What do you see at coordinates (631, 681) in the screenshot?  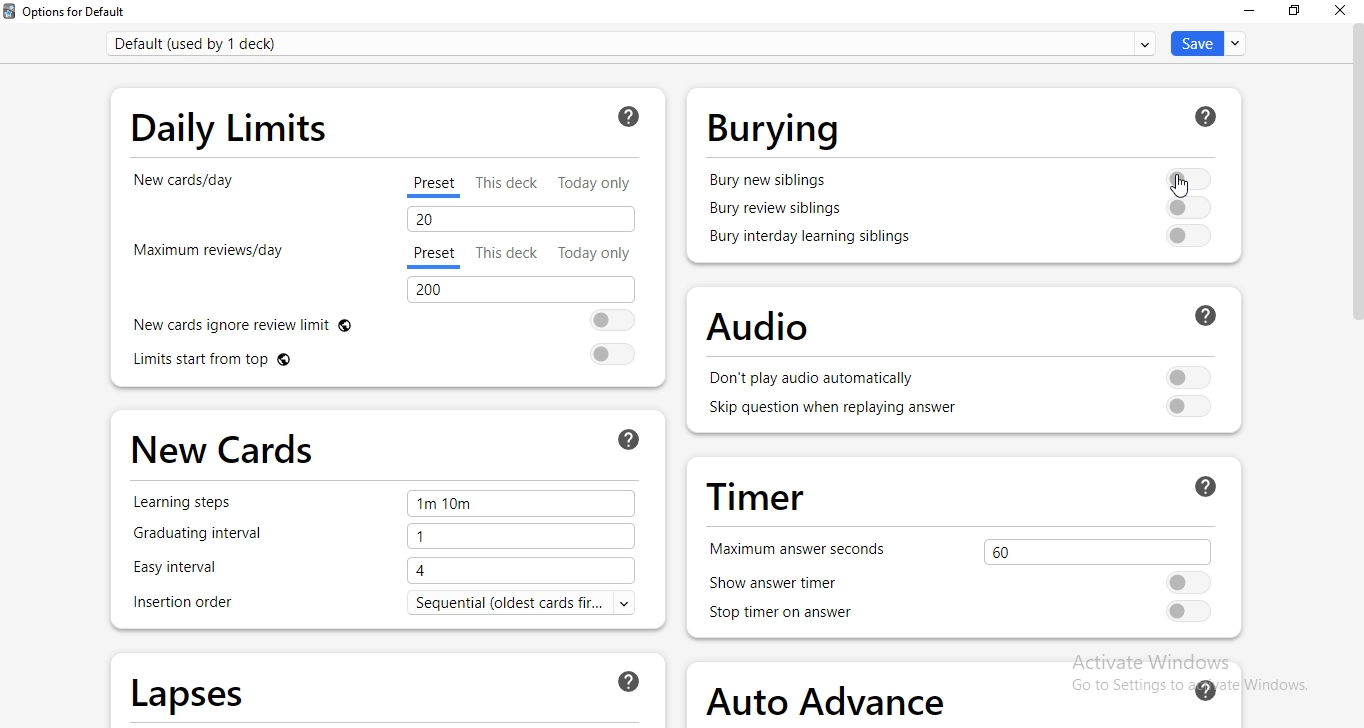 I see `ask` at bounding box center [631, 681].